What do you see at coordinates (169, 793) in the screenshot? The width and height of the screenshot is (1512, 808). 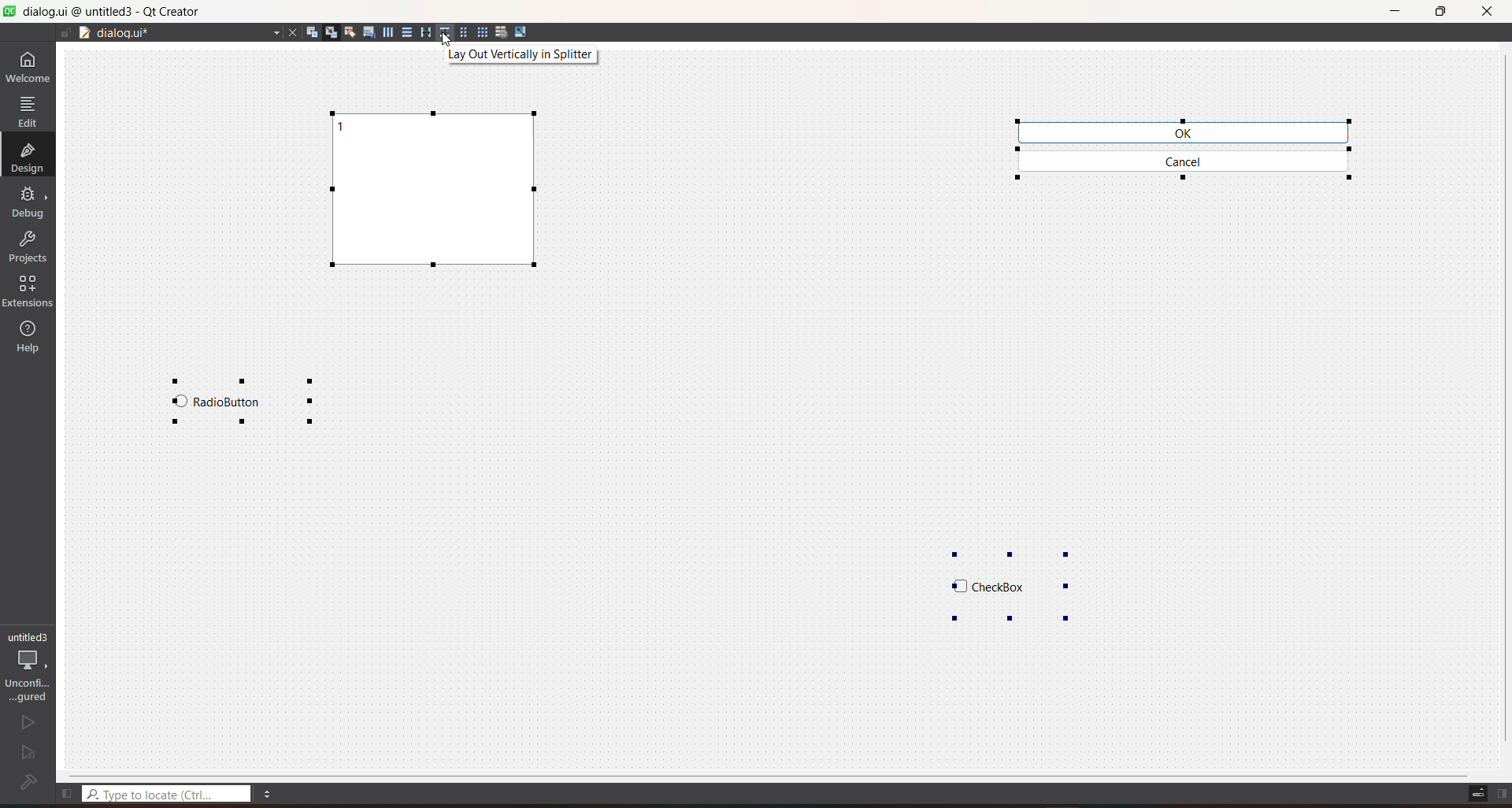 I see `type to locate` at bounding box center [169, 793].